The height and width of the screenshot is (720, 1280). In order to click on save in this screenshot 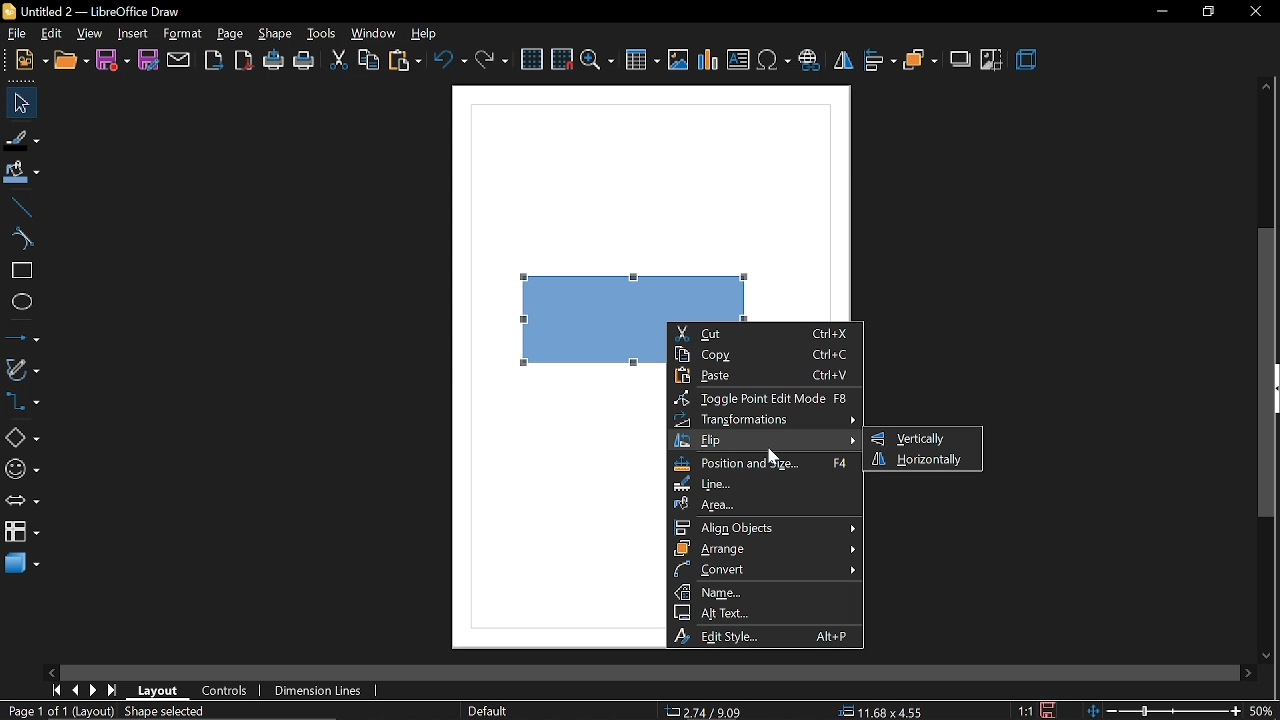, I will do `click(111, 61)`.